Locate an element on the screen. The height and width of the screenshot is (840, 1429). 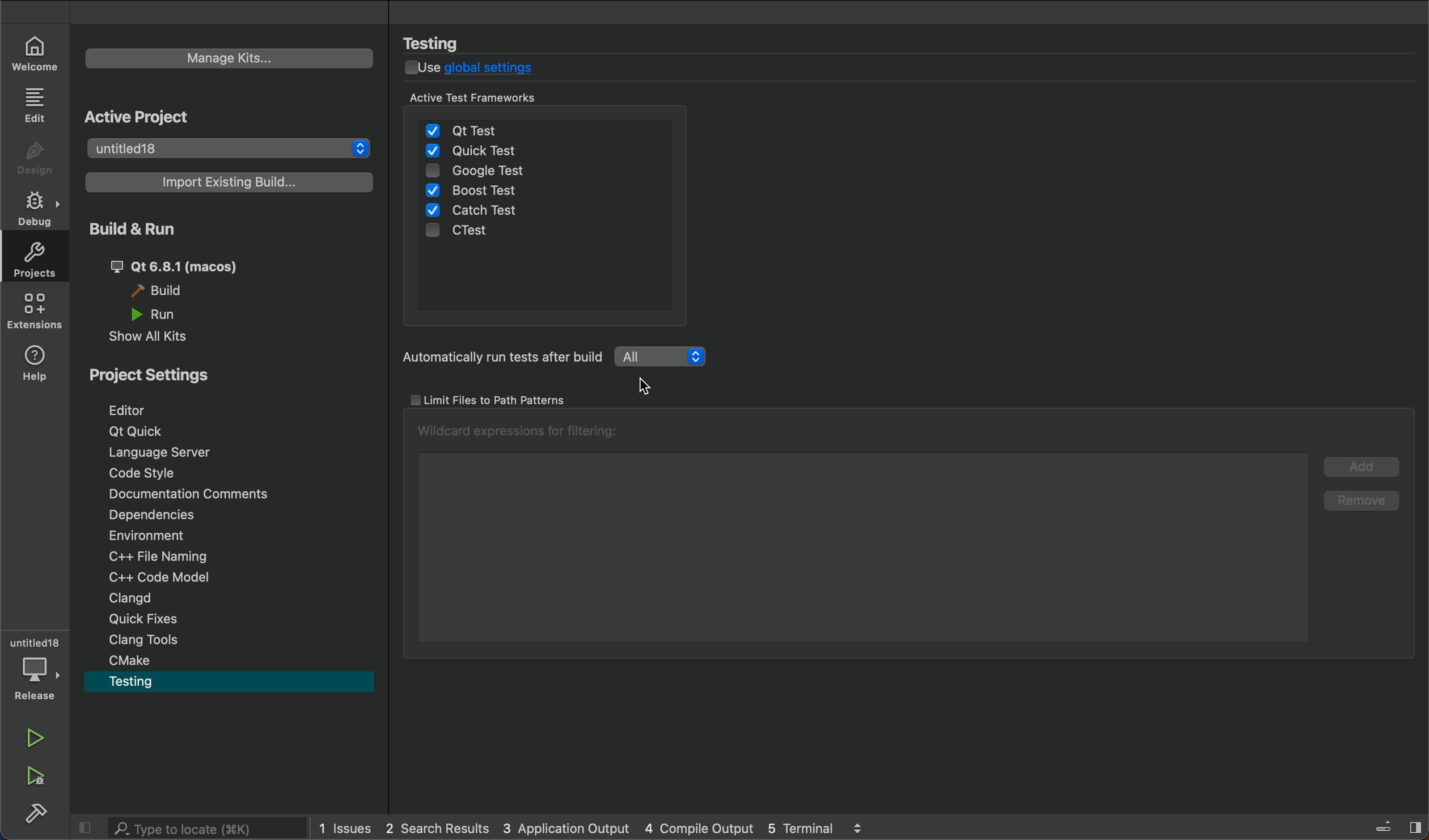
c++ file naming is located at coordinates (163, 555).